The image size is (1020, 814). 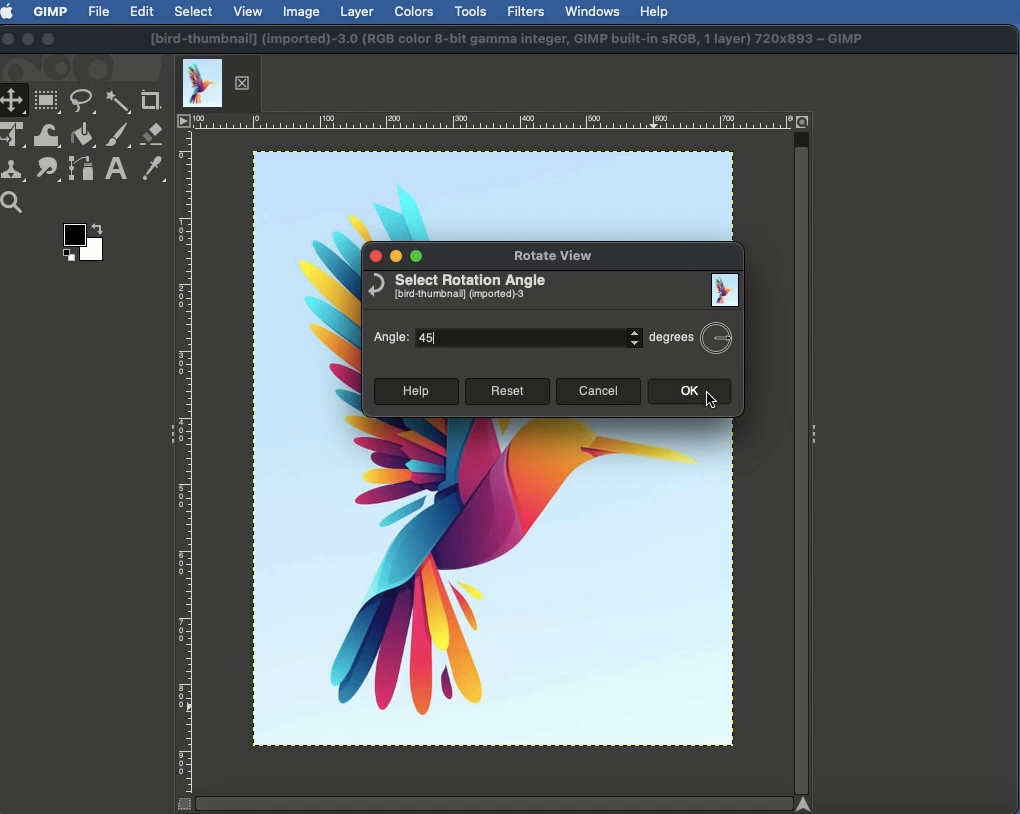 What do you see at coordinates (181, 805) in the screenshot?
I see `Quick view mask on/off` at bounding box center [181, 805].